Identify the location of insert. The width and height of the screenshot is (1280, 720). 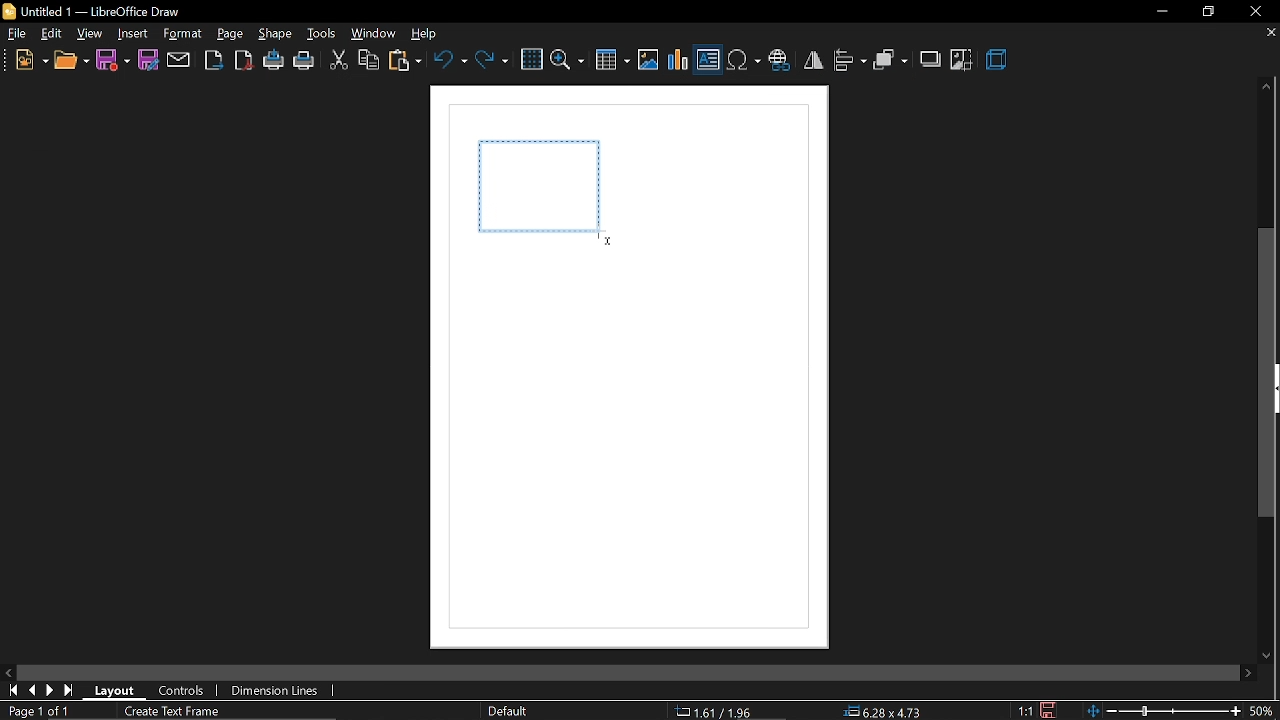
(133, 35).